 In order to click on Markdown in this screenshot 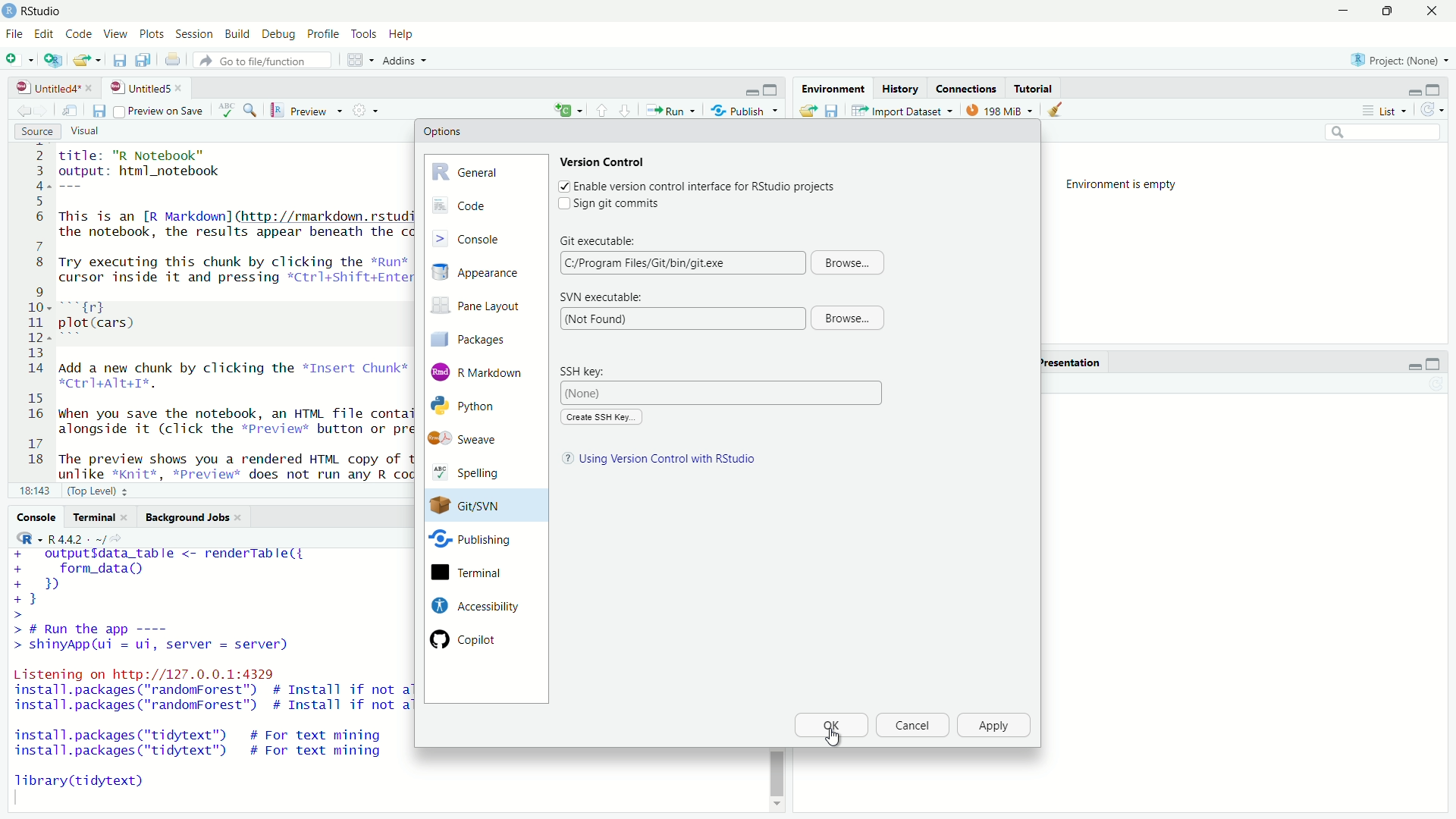, I will do `click(480, 371)`.